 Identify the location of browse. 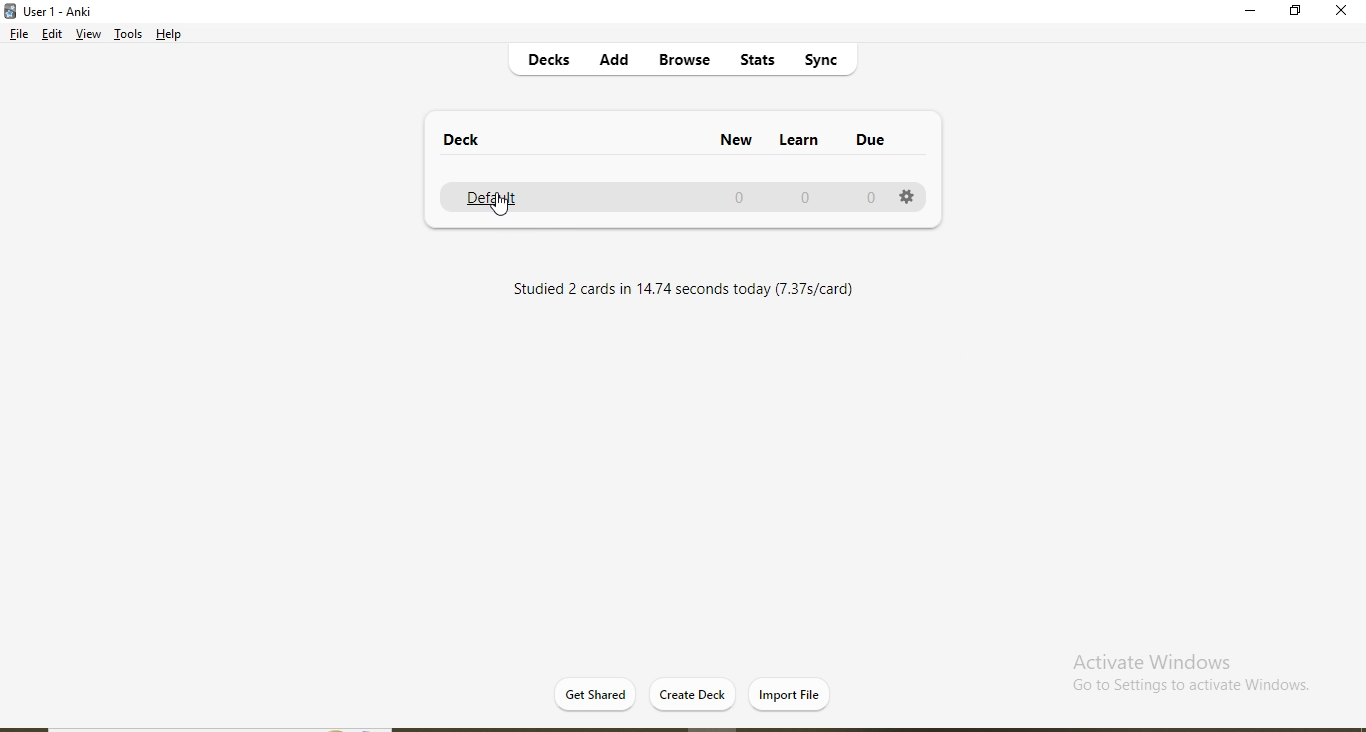
(682, 61).